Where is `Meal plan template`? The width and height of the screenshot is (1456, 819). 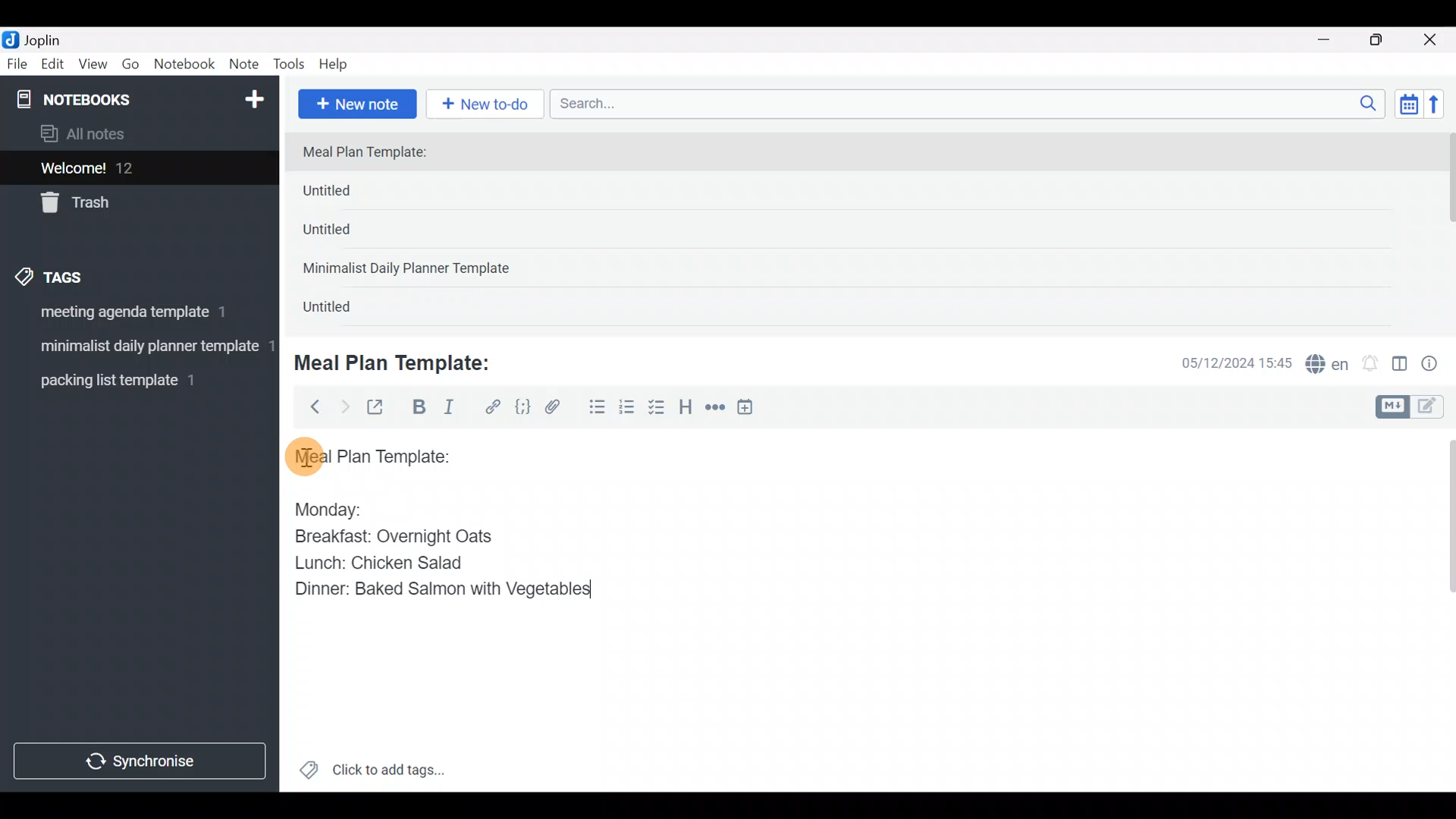
Meal plan template is located at coordinates (367, 454).